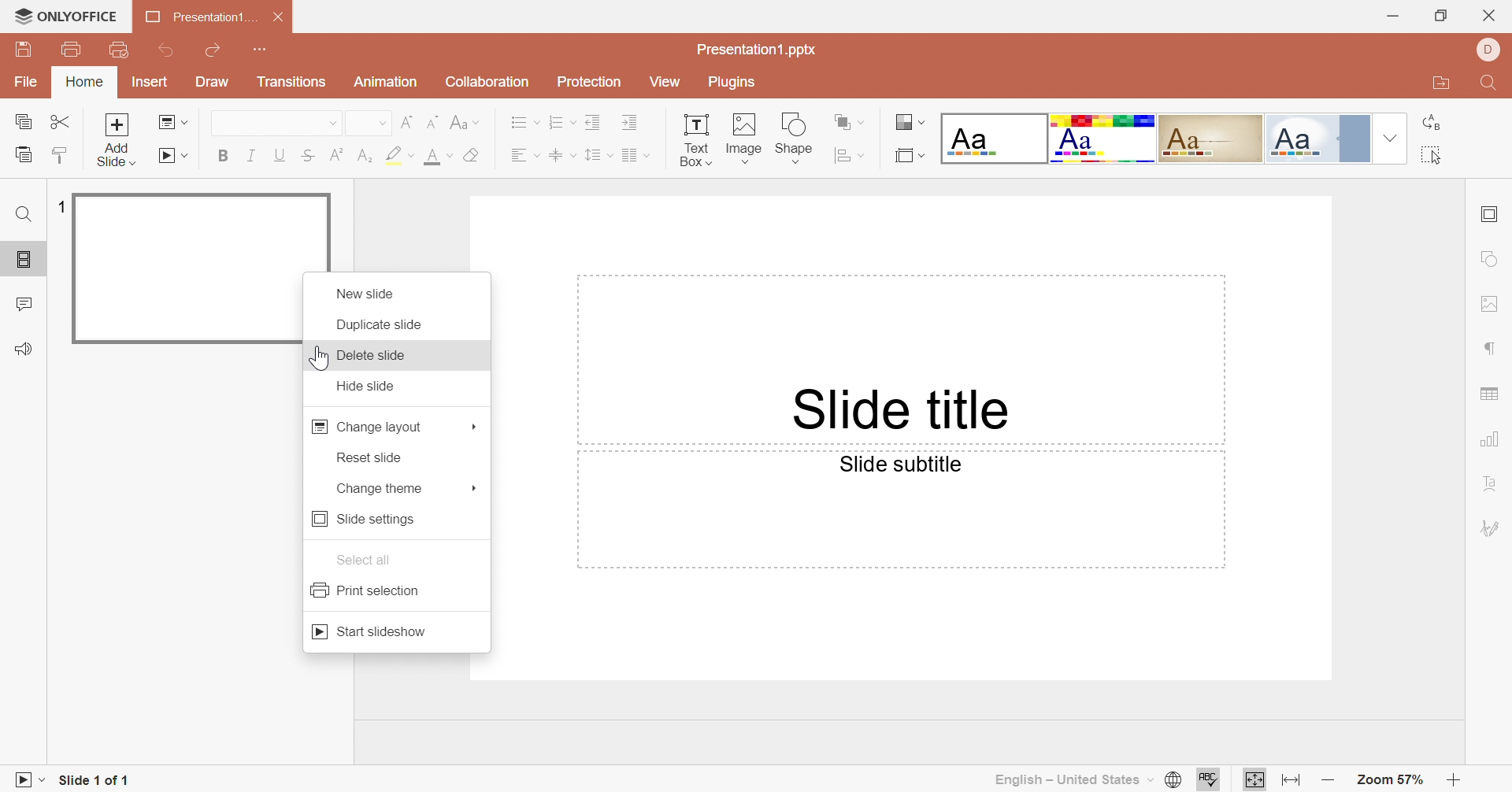 Image resolution: width=1512 pixels, height=792 pixels. Describe the element at coordinates (383, 123) in the screenshot. I see `Drop Down` at that location.